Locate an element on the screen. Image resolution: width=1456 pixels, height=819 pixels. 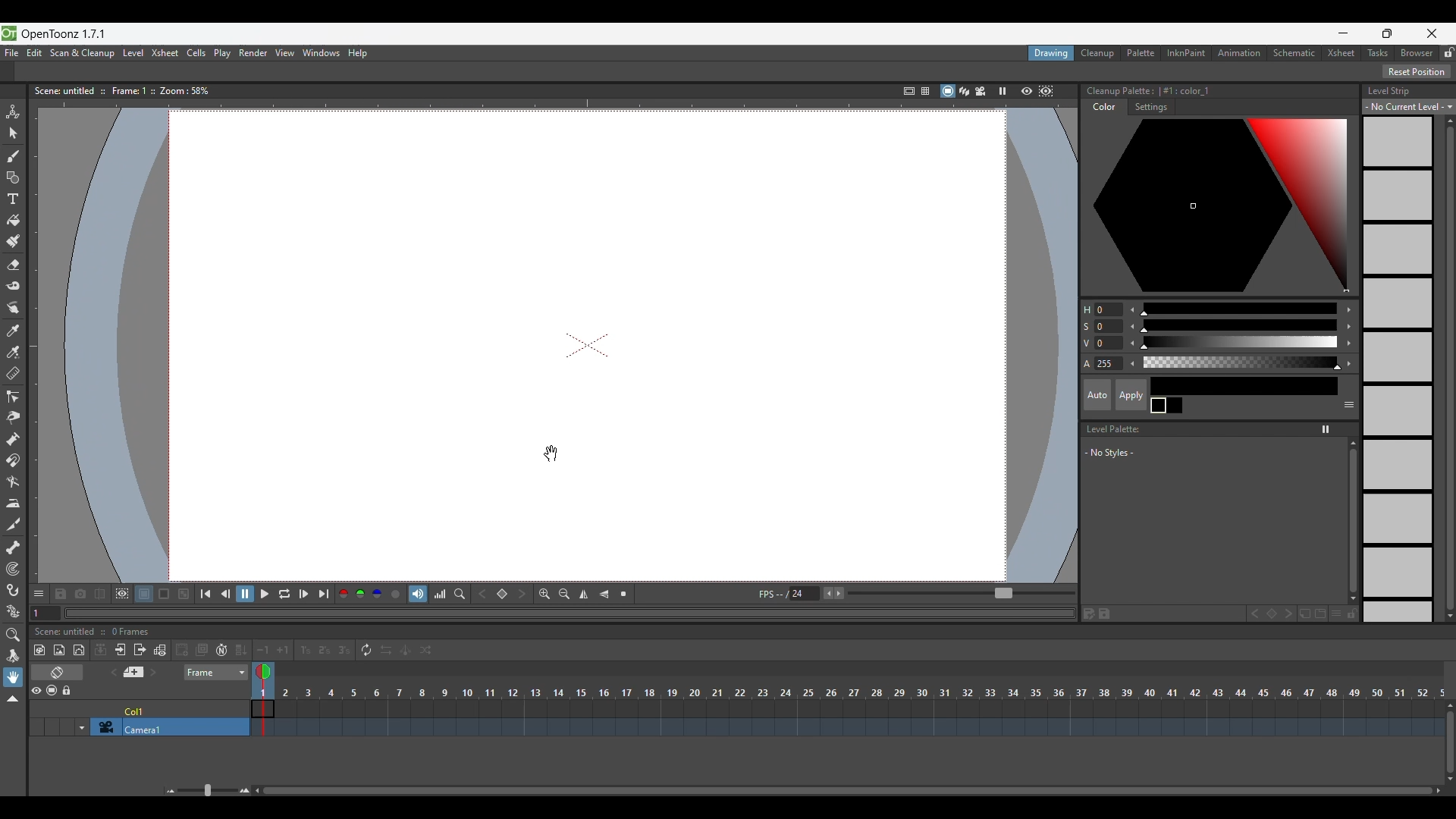
Save images is located at coordinates (60, 594).